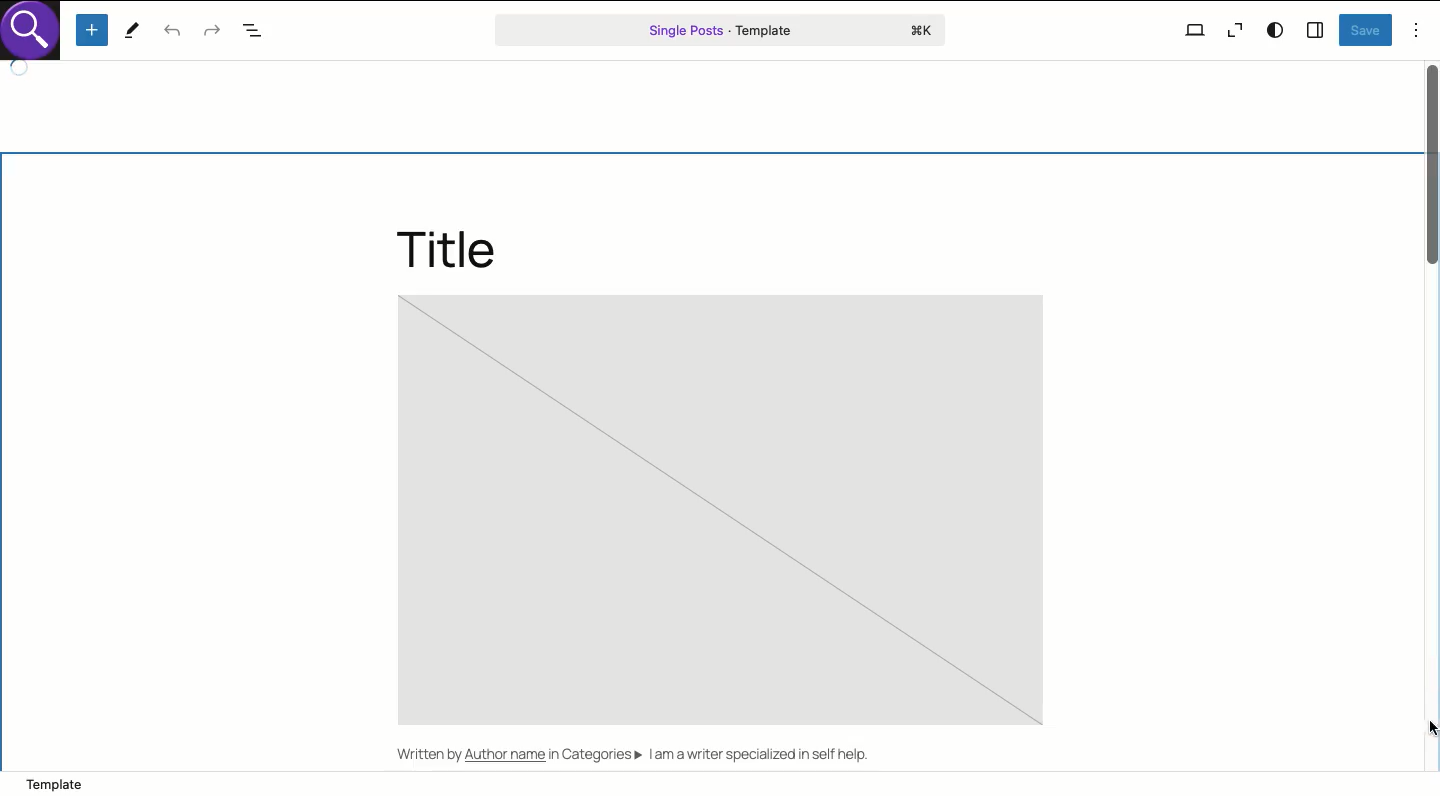 This screenshot has height=796, width=1440. Describe the element at coordinates (648, 757) in the screenshot. I see `Written by Author name in Categories» 1am a writer specialized in self help.` at that location.